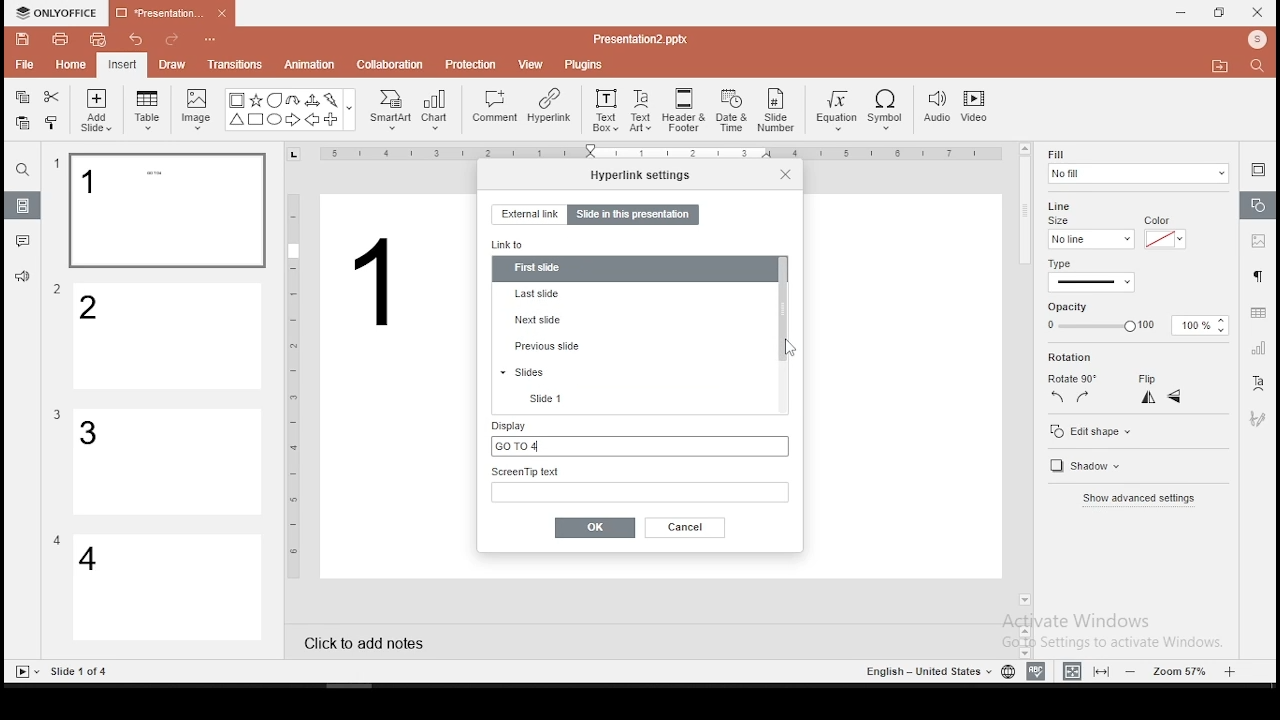  What do you see at coordinates (637, 437) in the screenshot?
I see `display` at bounding box center [637, 437].